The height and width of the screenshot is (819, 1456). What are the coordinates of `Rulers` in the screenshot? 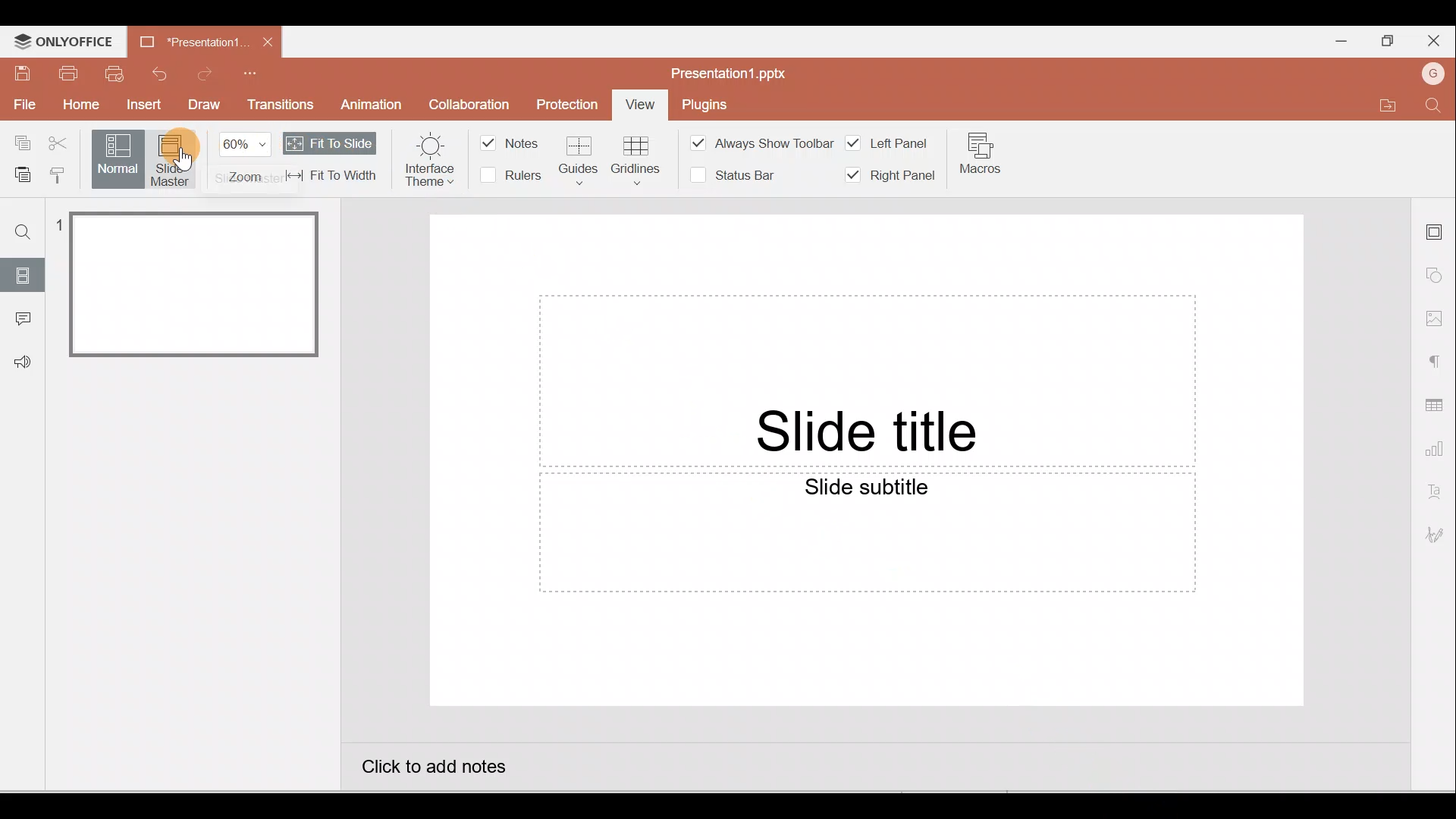 It's located at (513, 176).